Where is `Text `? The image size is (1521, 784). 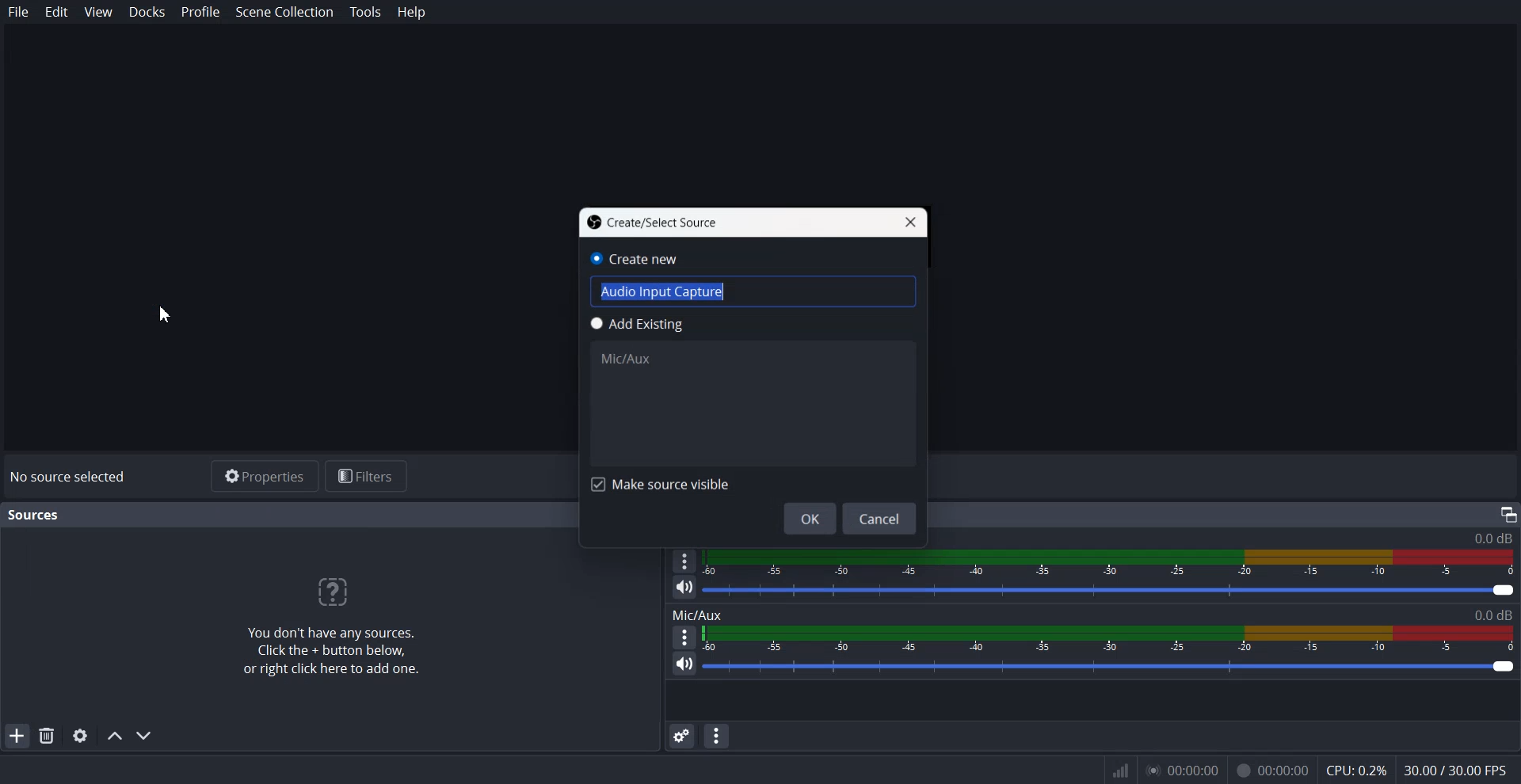 Text  is located at coordinates (652, 222).